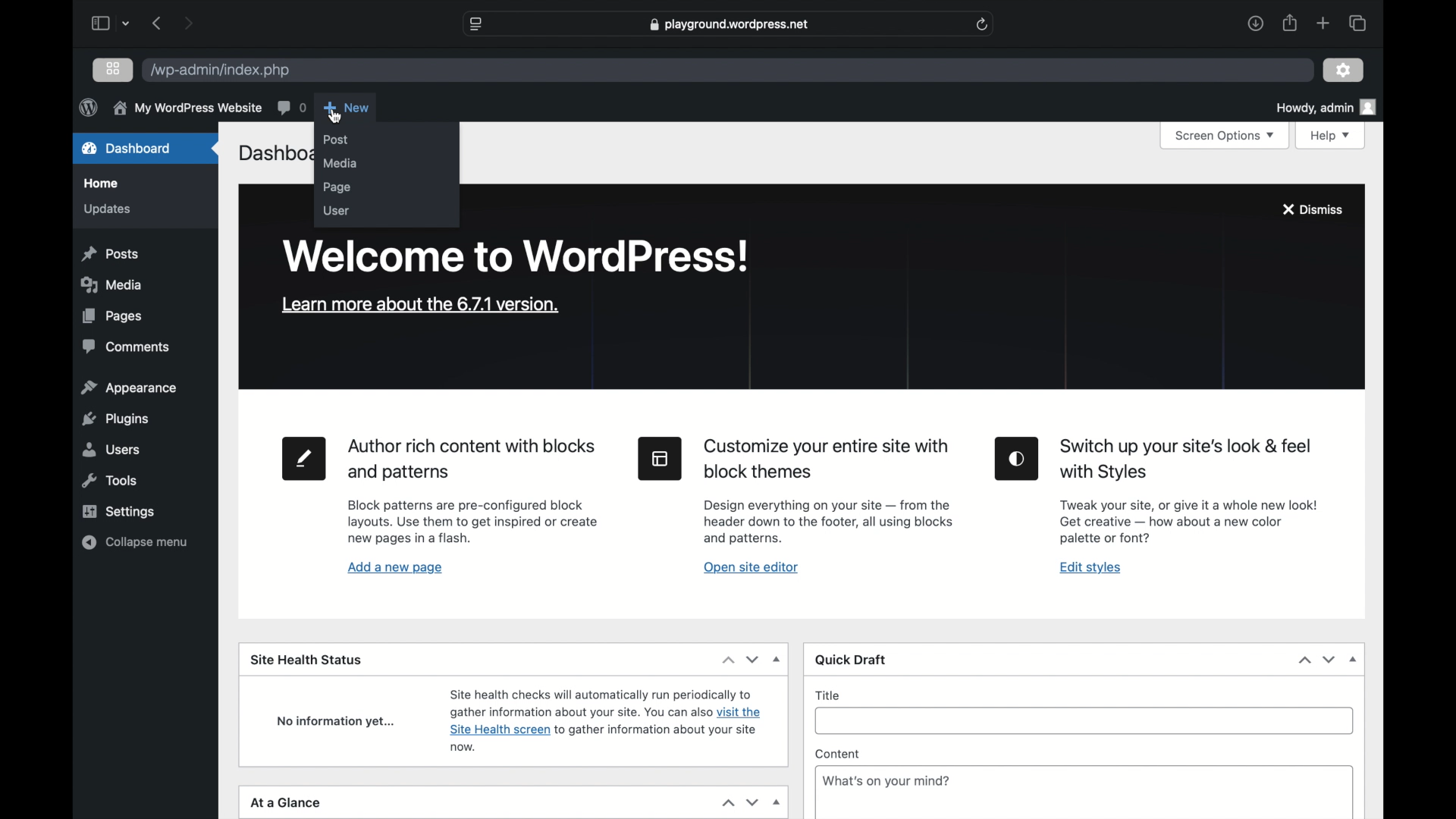 This screenshot has width=1456, height=819. I want to click on at a glance, so click(285, 803).